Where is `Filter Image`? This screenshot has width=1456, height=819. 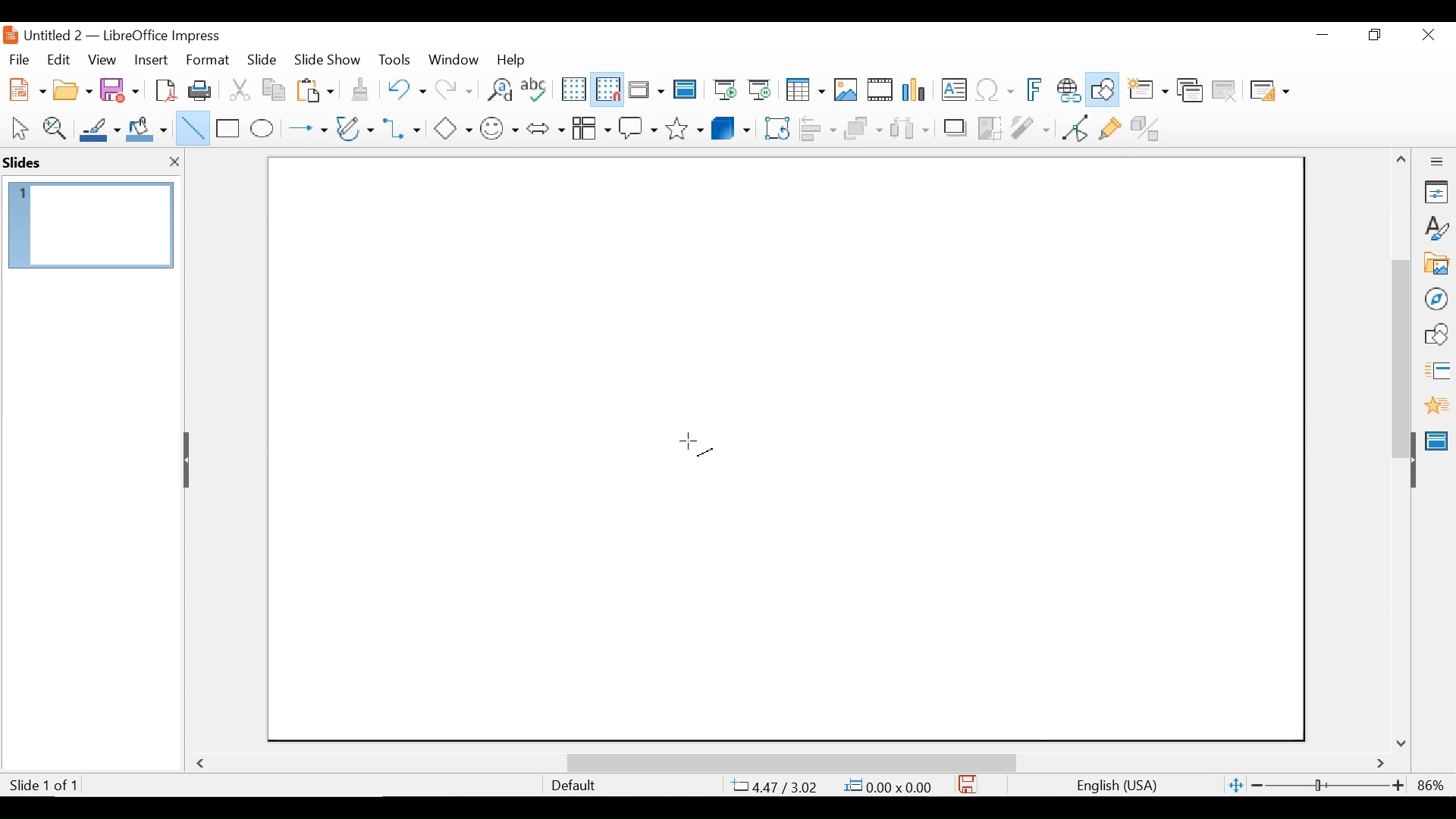
Filter Image is located at coordinates (1030, 127).